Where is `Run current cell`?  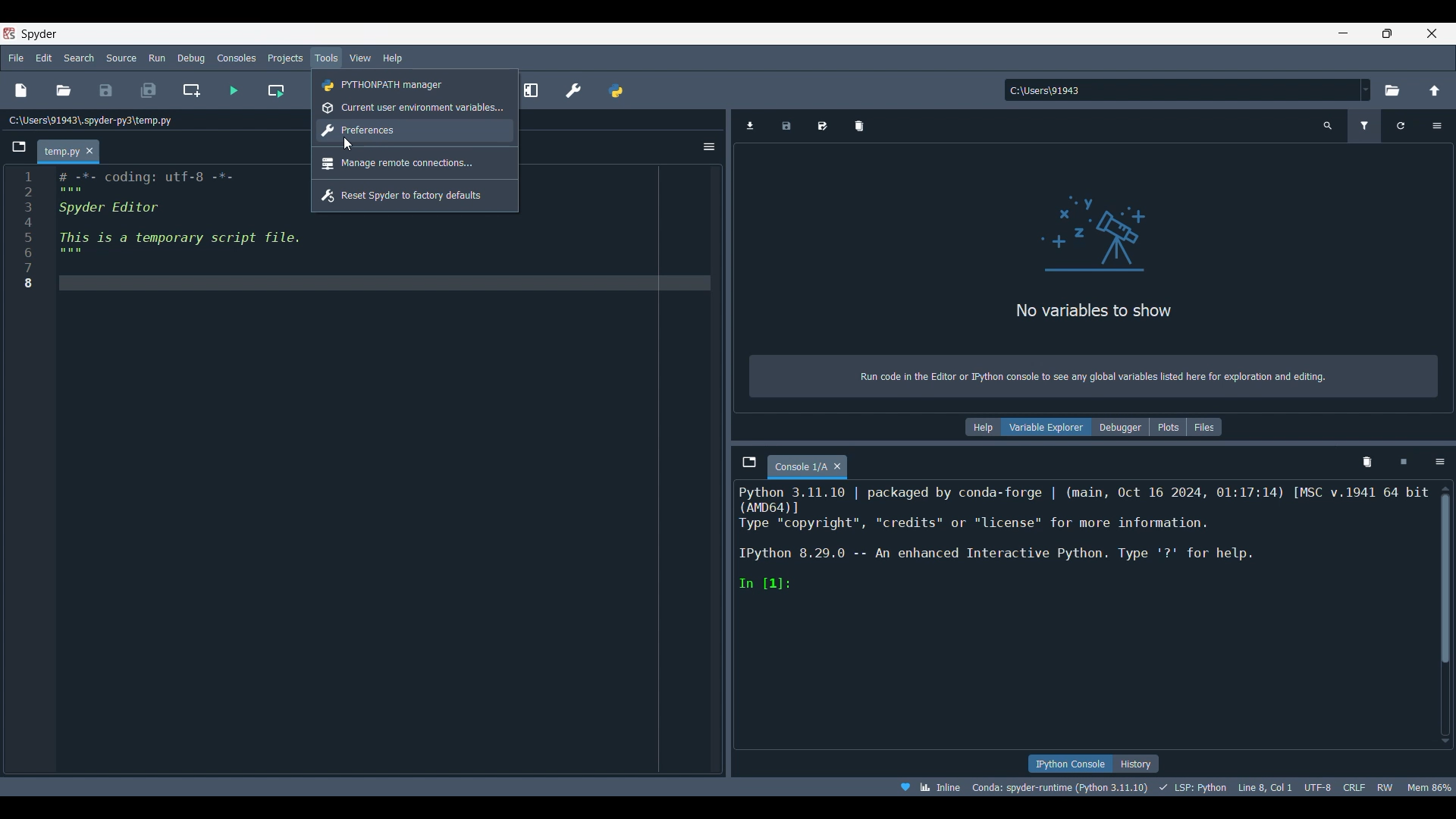
Run current cell is located at coordinates (276, 90).